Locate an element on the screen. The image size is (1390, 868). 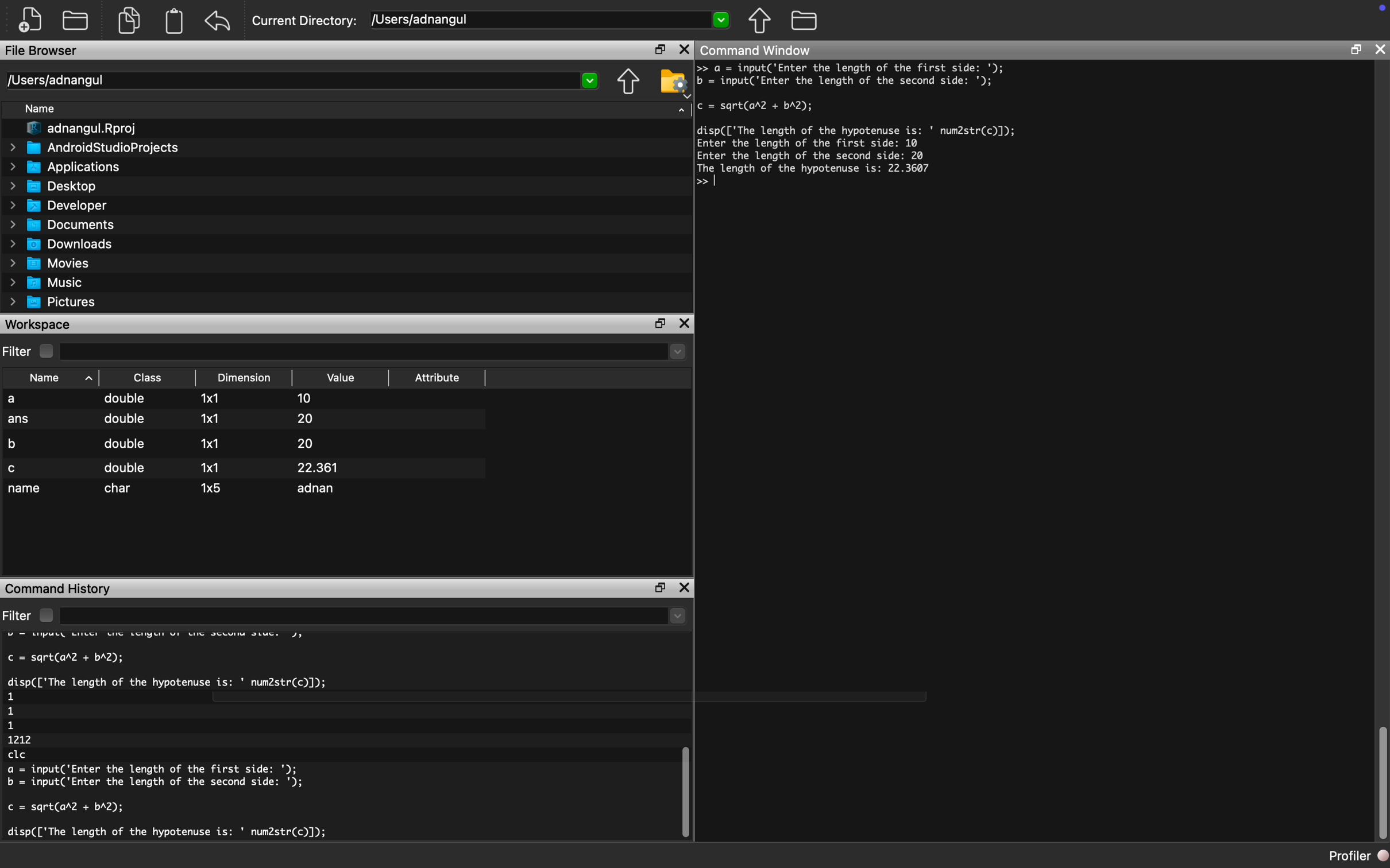
 Desktop is located at coordinates (60, 185).